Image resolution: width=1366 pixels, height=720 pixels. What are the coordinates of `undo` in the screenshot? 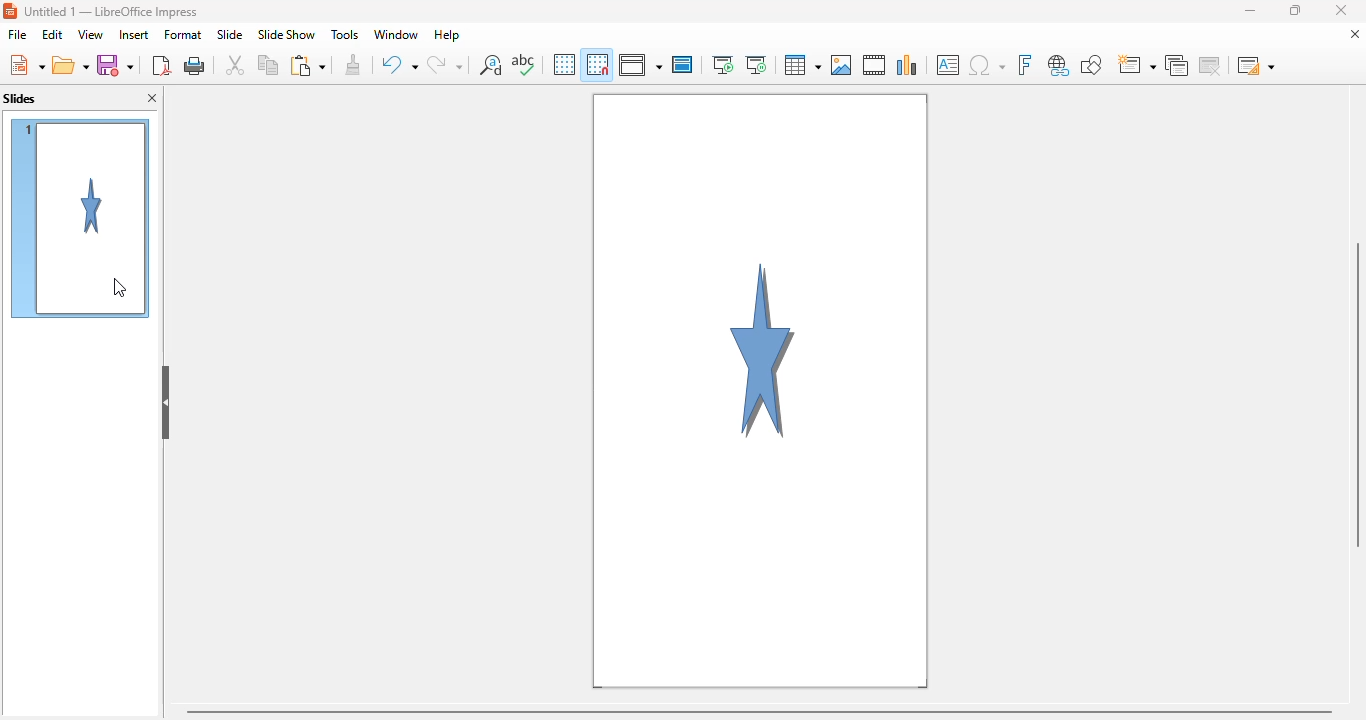 It's located at (398, 64).